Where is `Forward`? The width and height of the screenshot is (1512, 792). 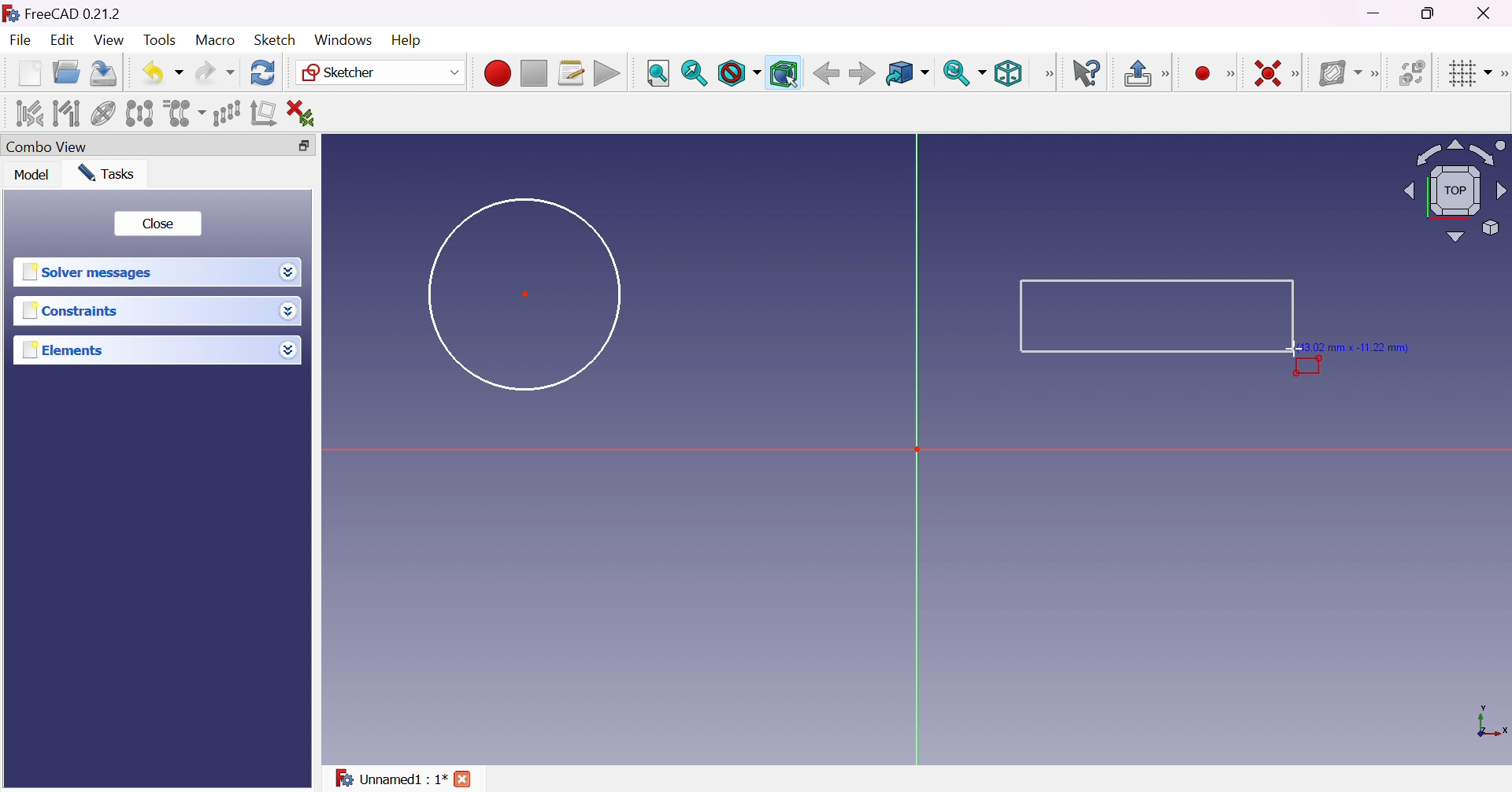
Forward is located at coordinates (862, 75).